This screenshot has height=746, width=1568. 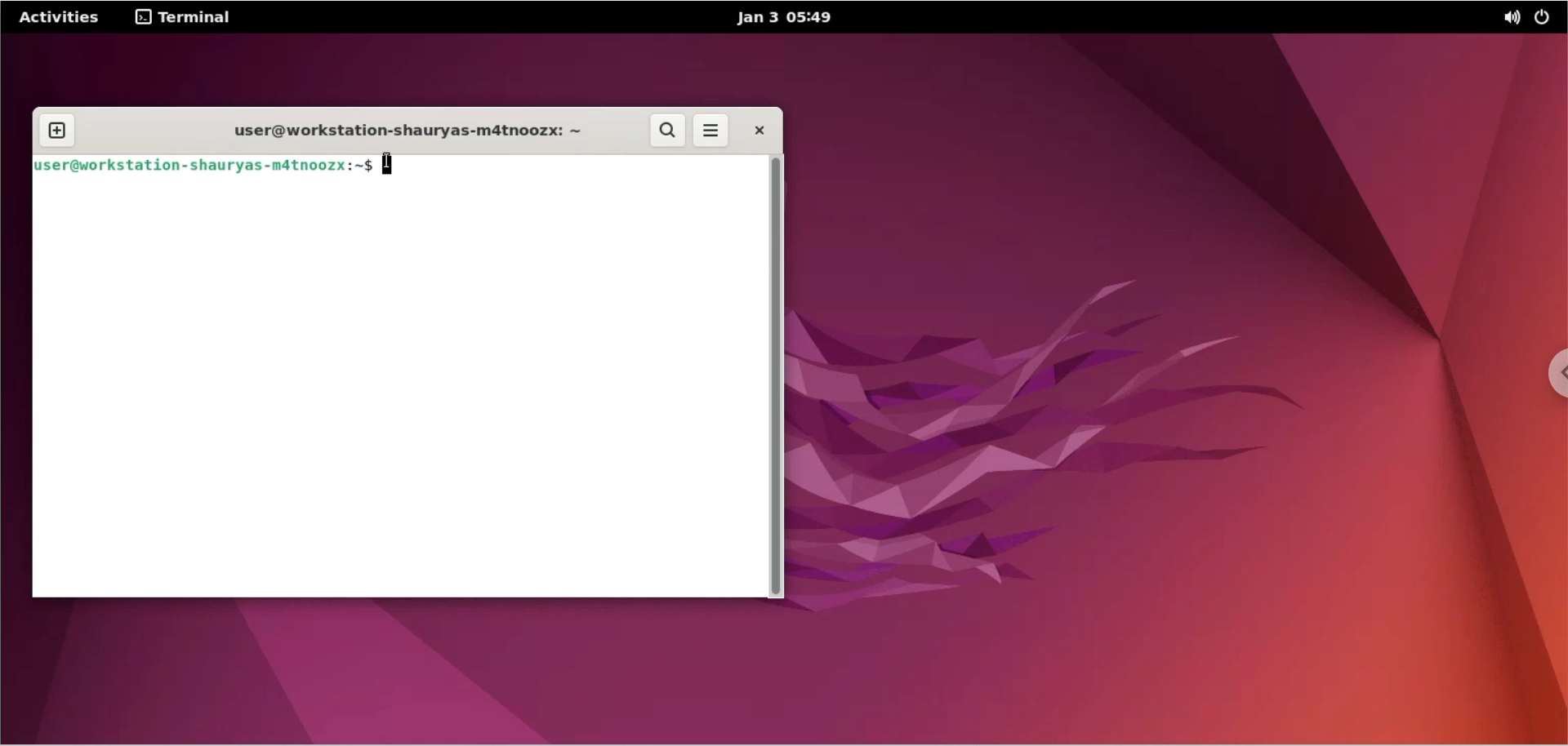 What do you see at coordinates (1552, 377) in the screenshot?
I see `chrome options` at bounding box center [1552, 377].